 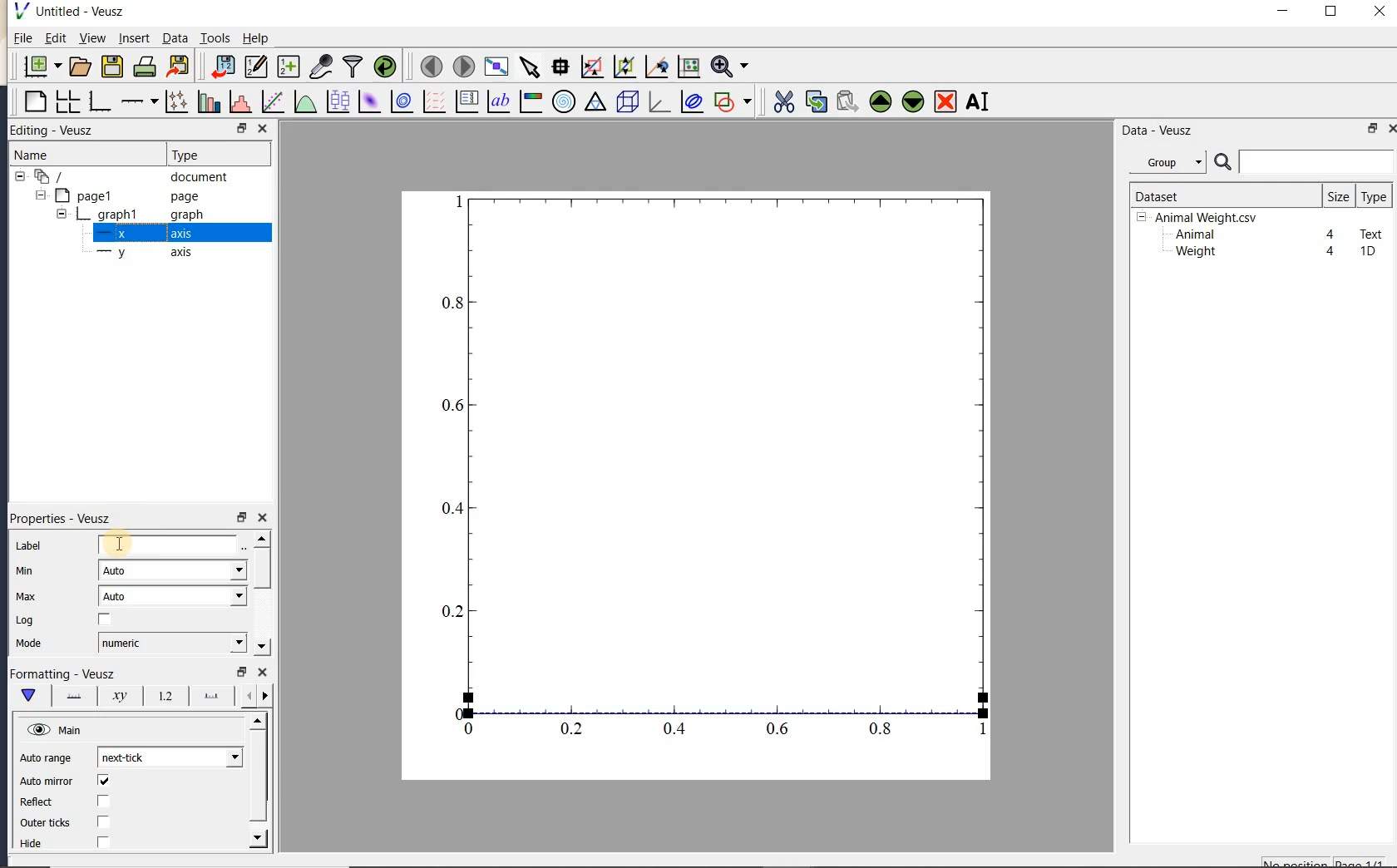 What do you see at coordinates (41, 844) in the screenshot?
I see `hide` at bounding box center [41, 844].